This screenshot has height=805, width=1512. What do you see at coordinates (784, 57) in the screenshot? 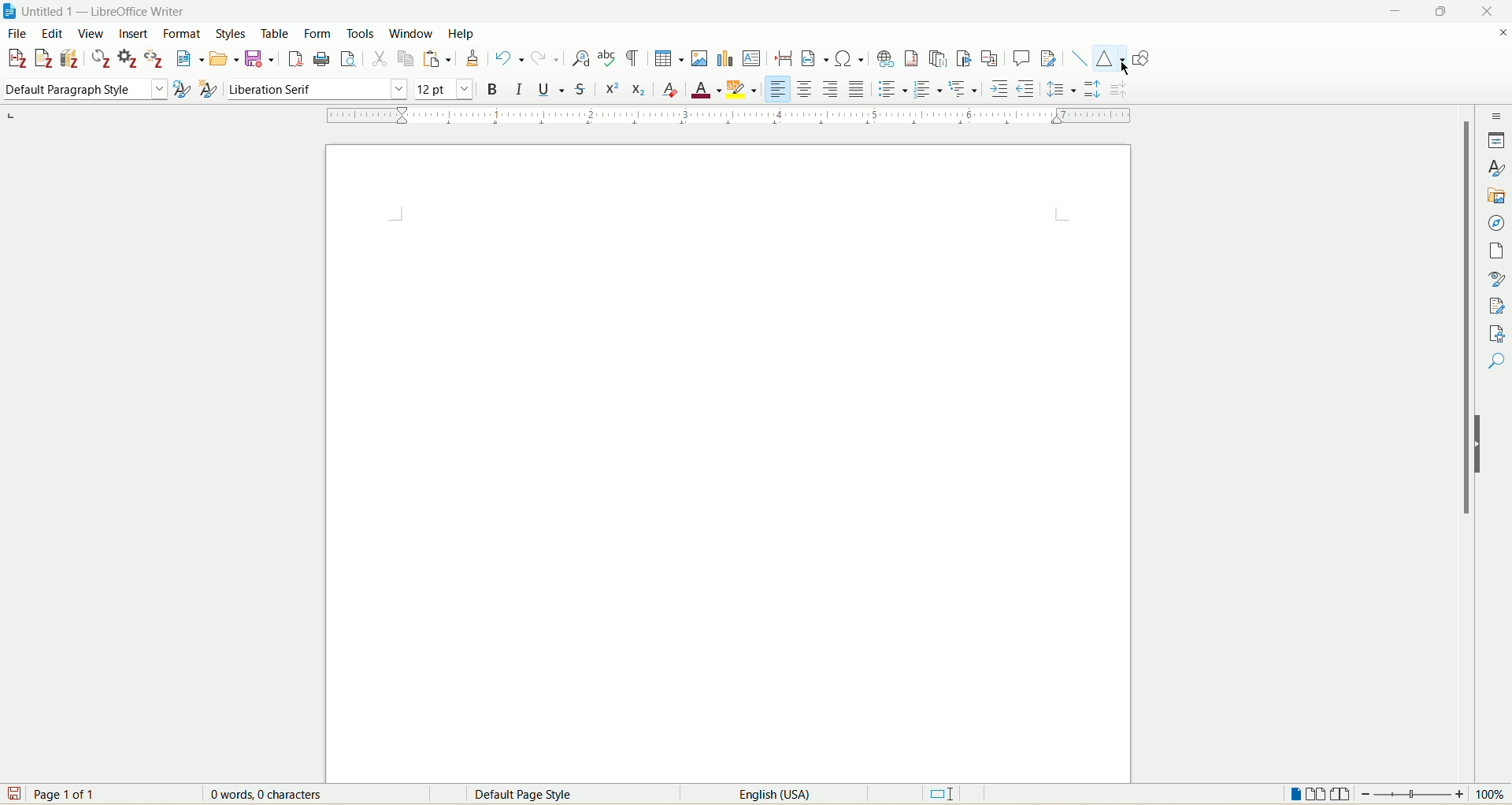
I see `insert page break` at bounding box center [784, 57].